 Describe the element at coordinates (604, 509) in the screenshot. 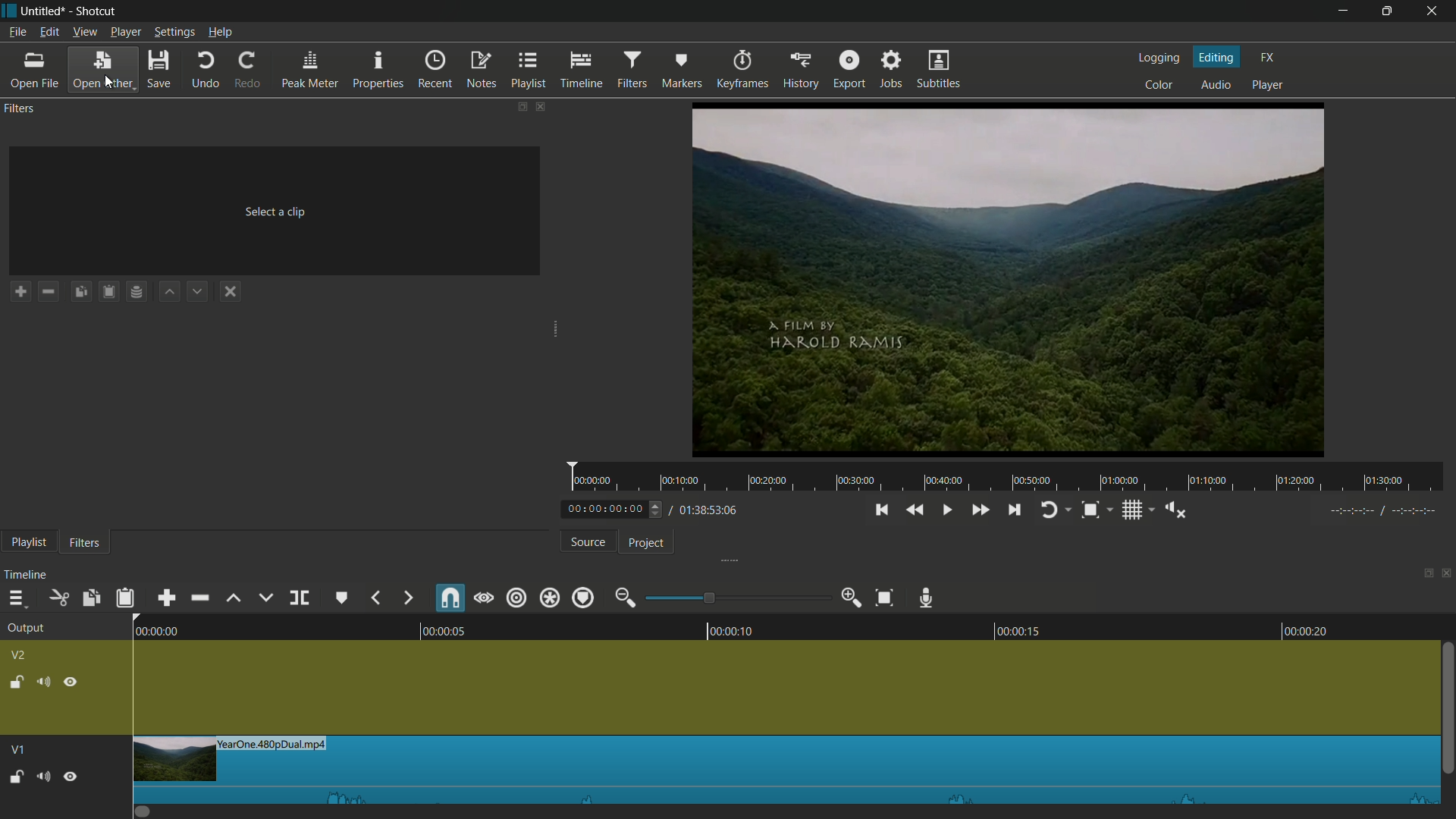

I see `current time` at that location.